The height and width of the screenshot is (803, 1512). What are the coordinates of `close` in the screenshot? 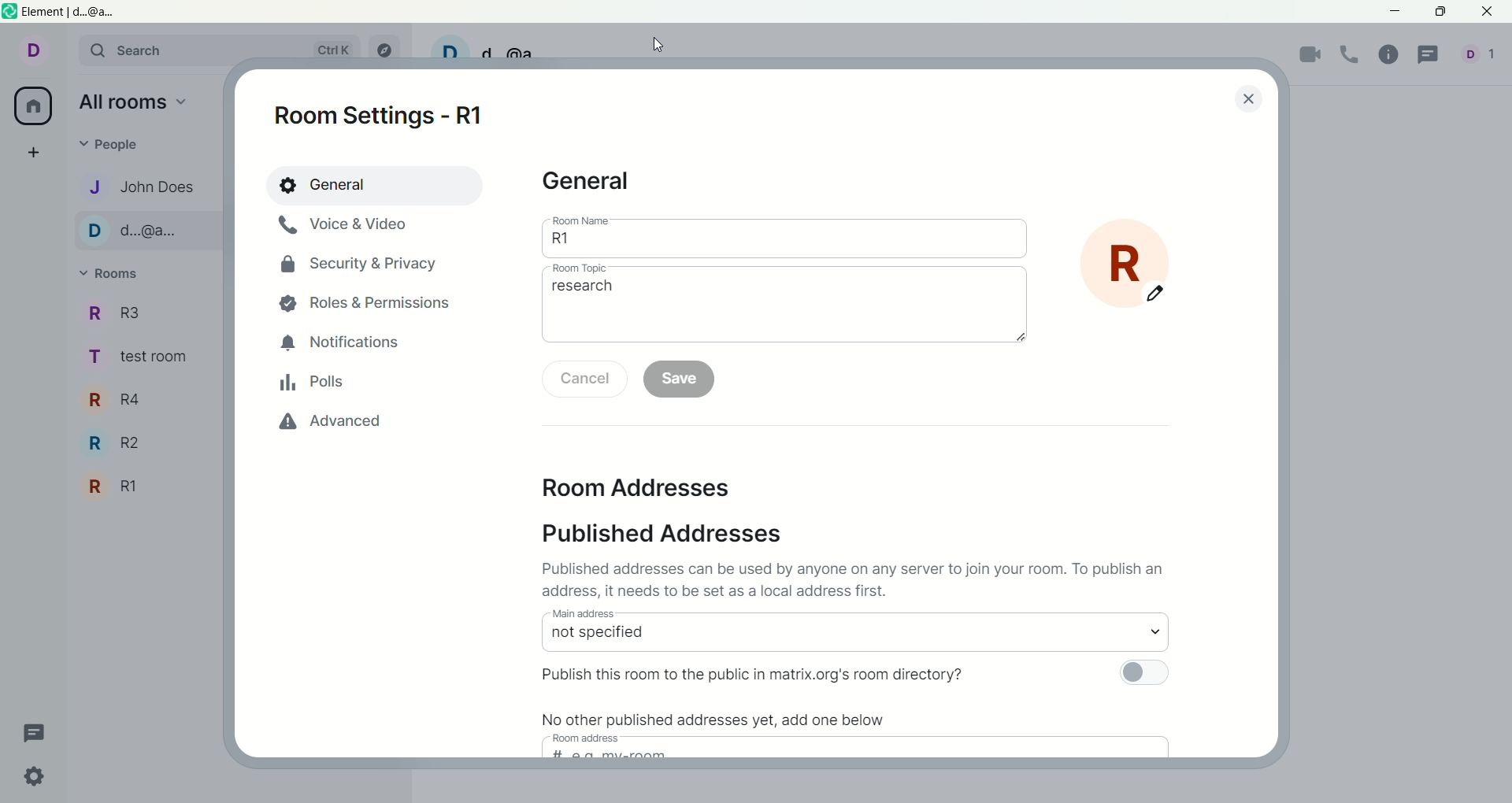 It's located at (1249, 99).